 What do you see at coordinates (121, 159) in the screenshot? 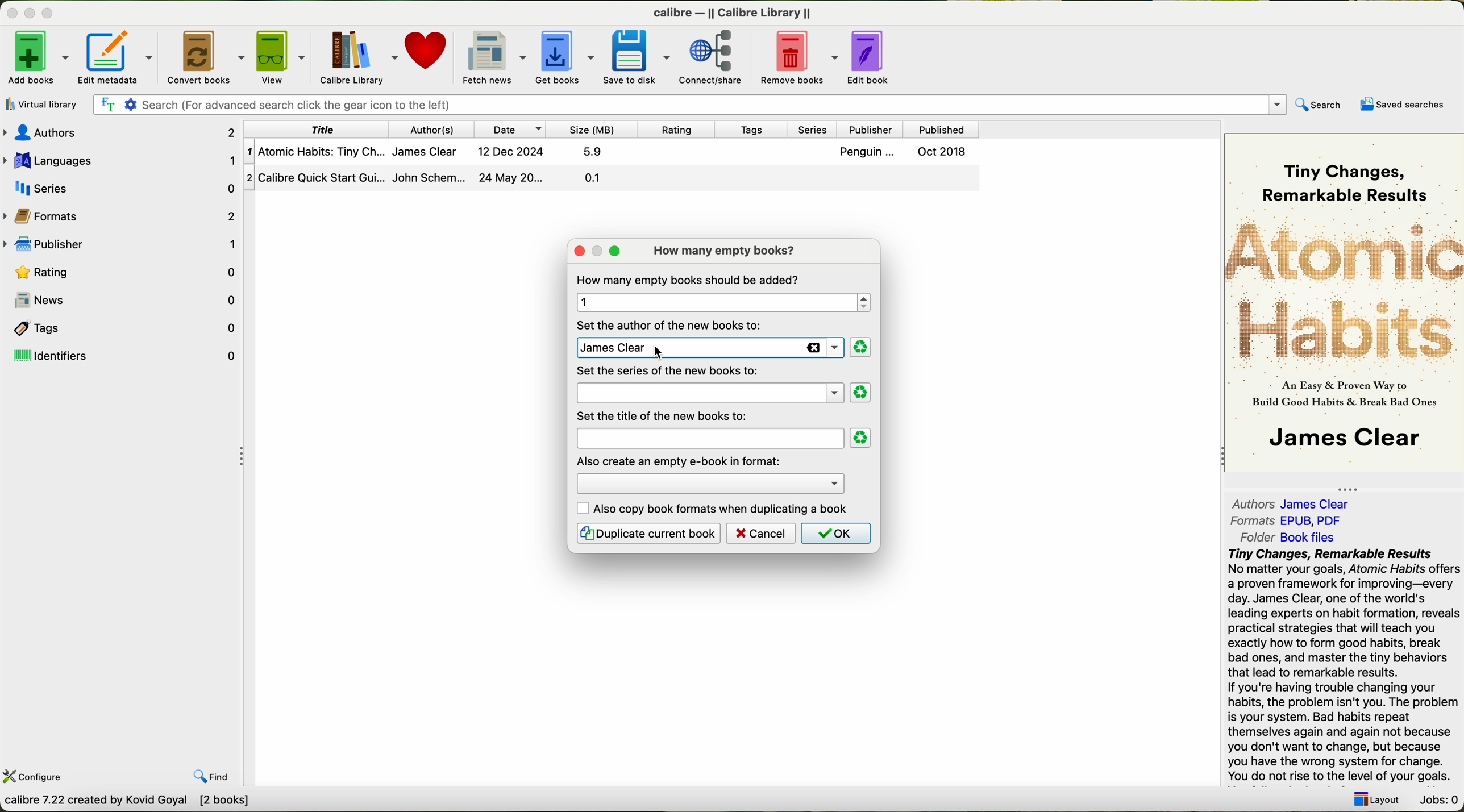
I see `languages` at bounding box center [121, 159].